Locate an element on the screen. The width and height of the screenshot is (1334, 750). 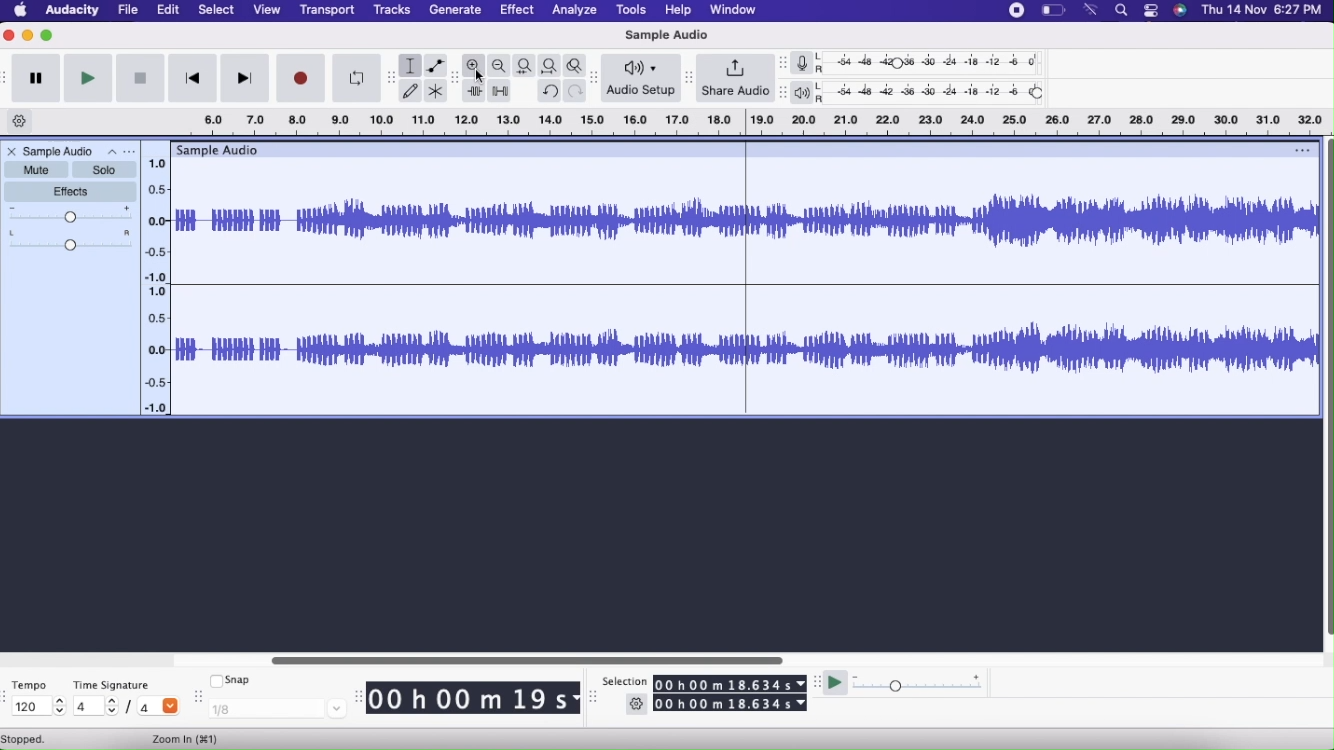
wifi is located at coordinates (1092, 11).